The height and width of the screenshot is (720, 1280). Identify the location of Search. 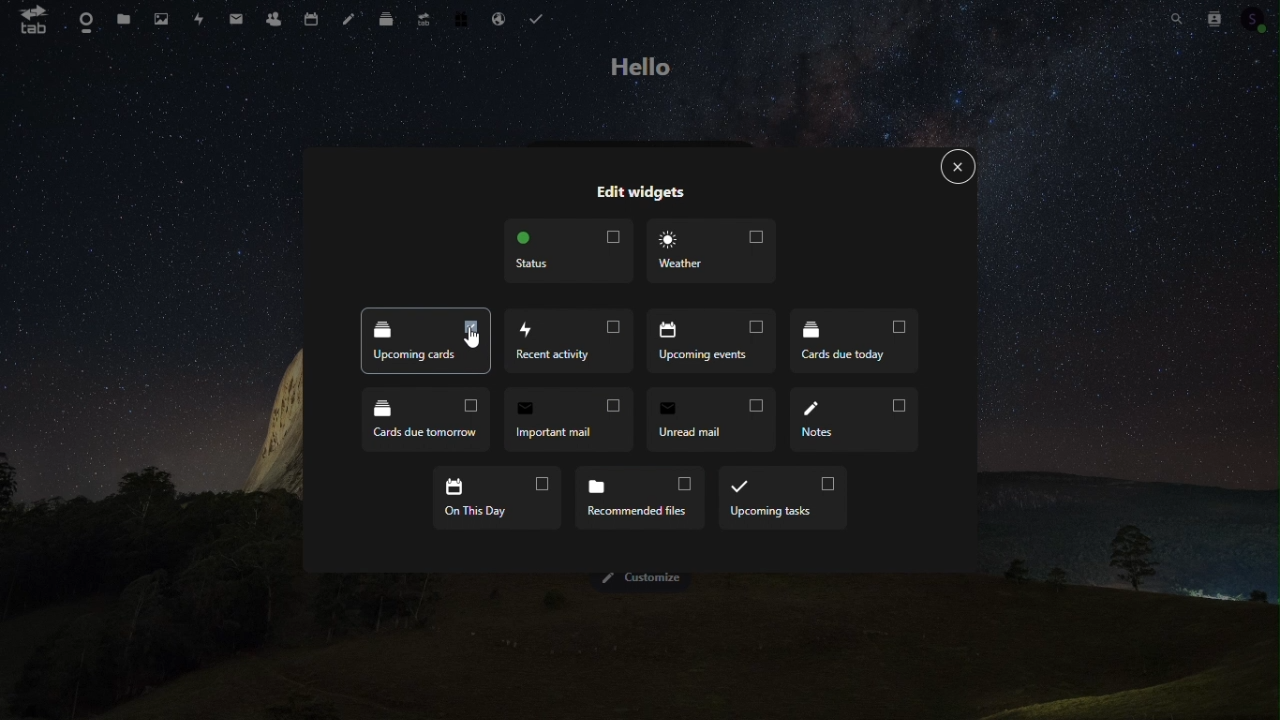
(1176, 17).